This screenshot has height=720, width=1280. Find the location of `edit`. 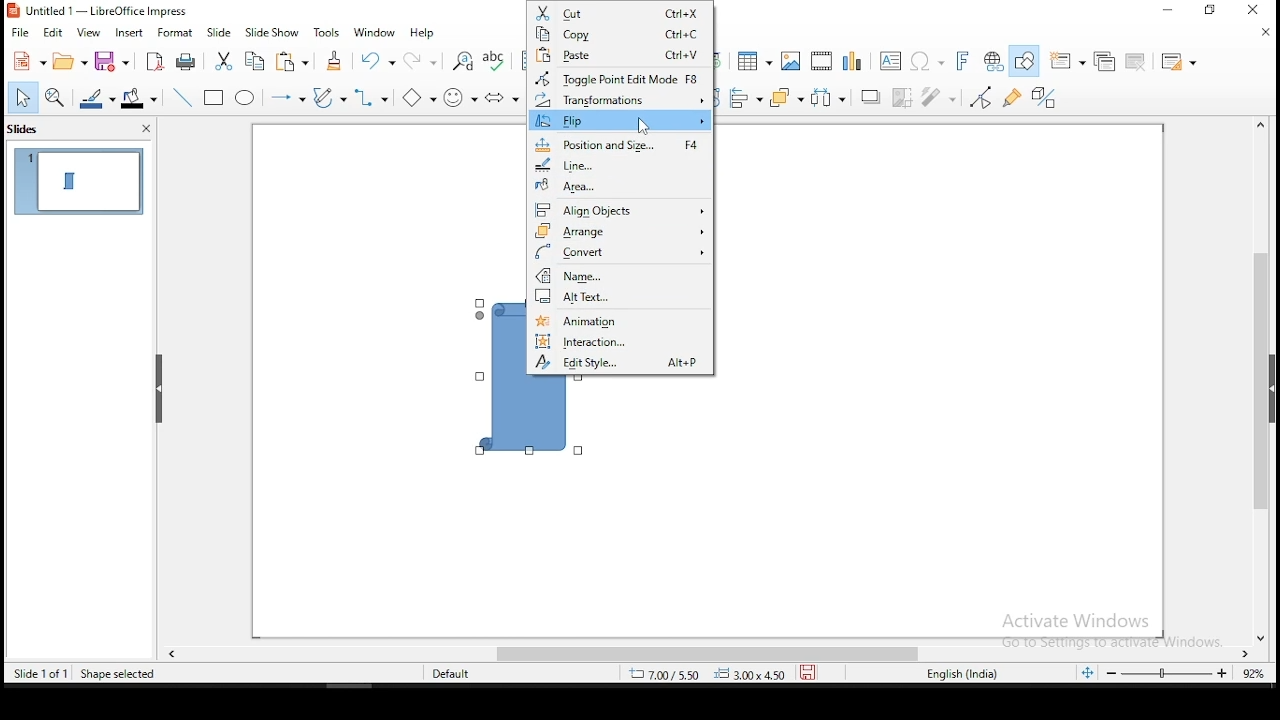

edit is located at coordinates (51, 34).